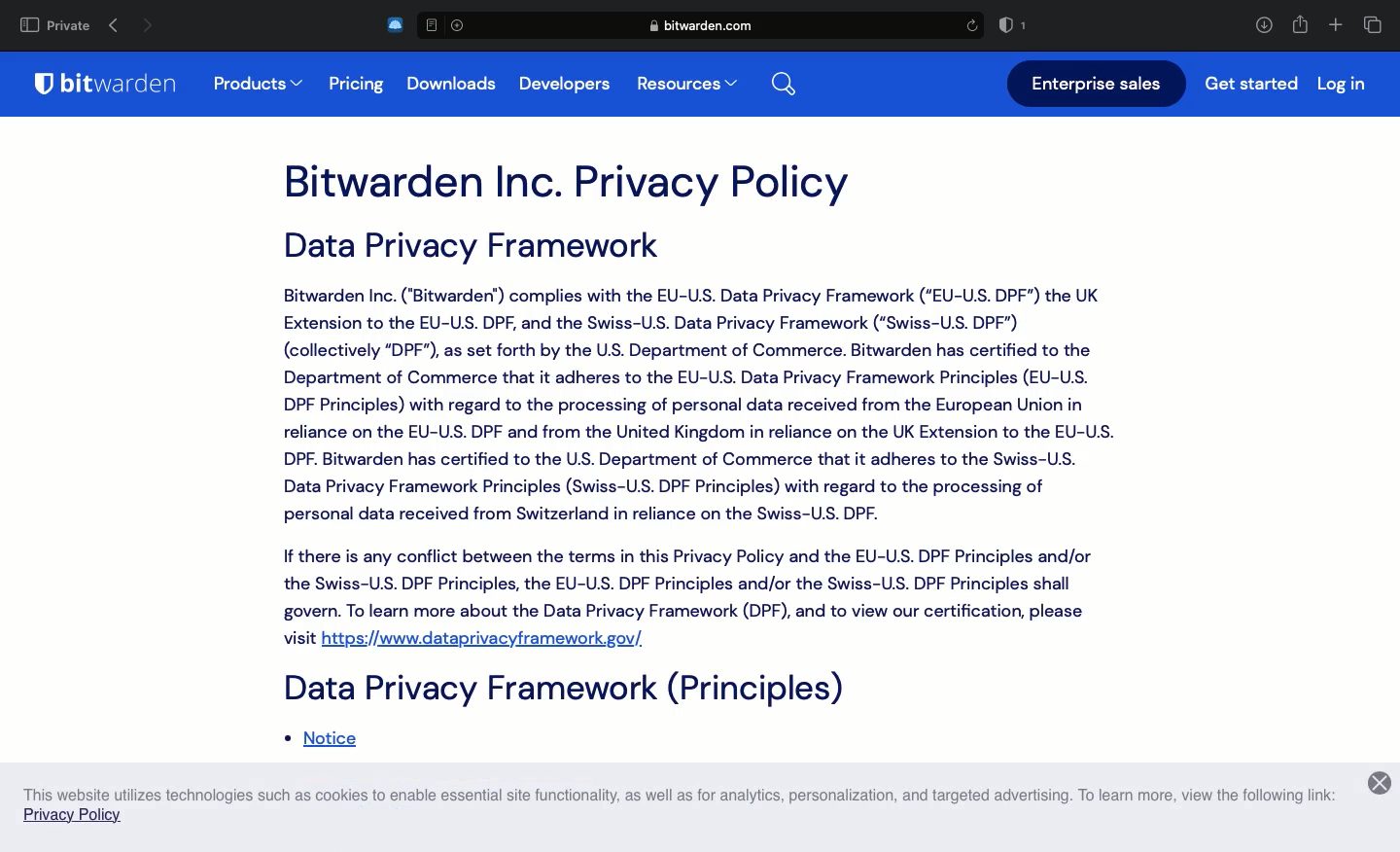  What do you see at coordinates (686, 86) in the screenshot?
I see `resources` at bounding box center [686, 86].